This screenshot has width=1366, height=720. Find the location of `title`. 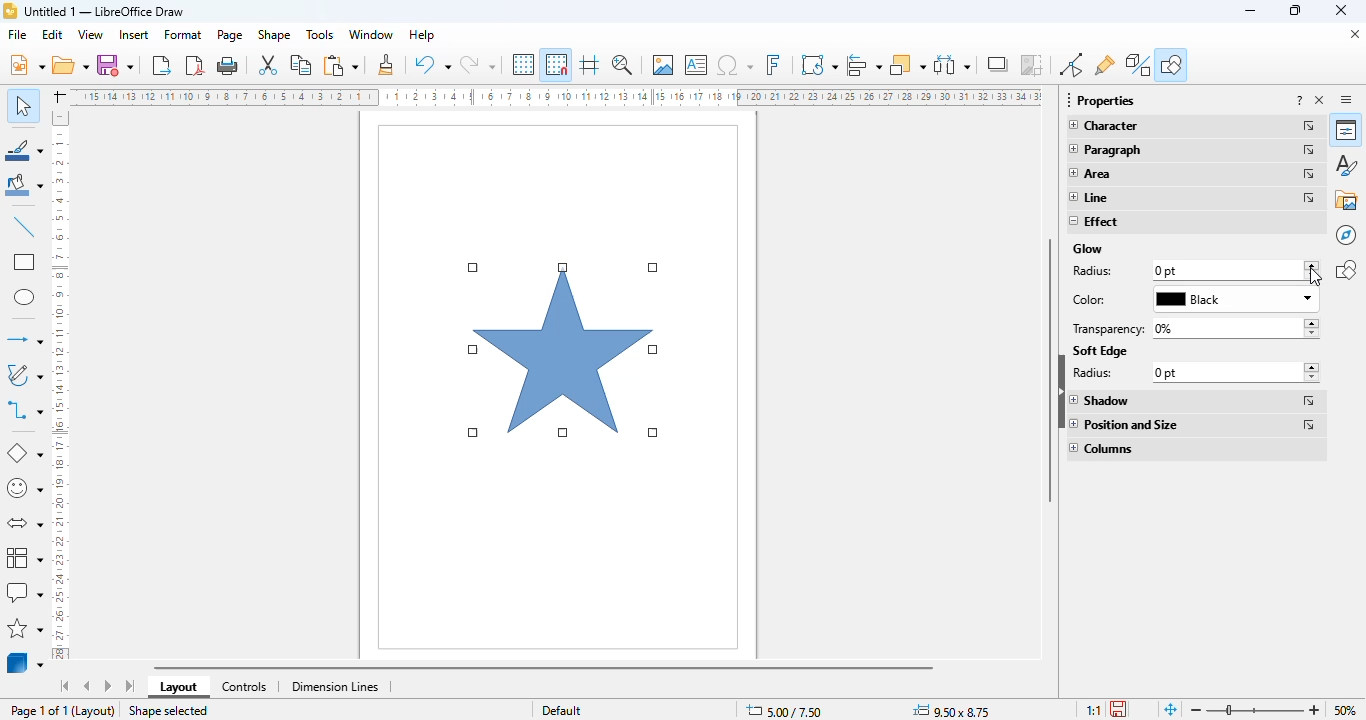

title is located at coordinates (104, 11).